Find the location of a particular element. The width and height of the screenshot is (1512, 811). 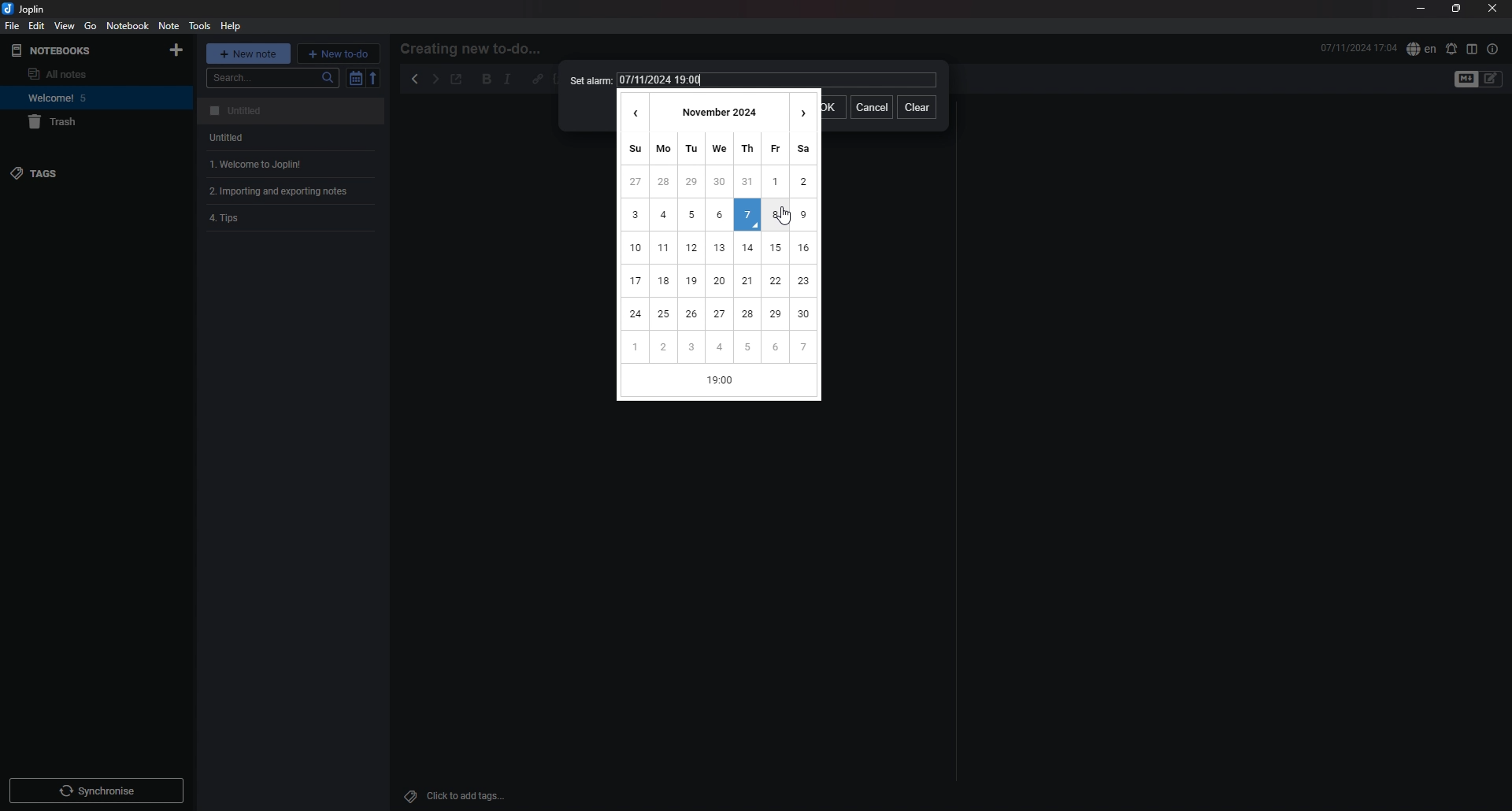

4. Tips is located at coordinates (274, 220).